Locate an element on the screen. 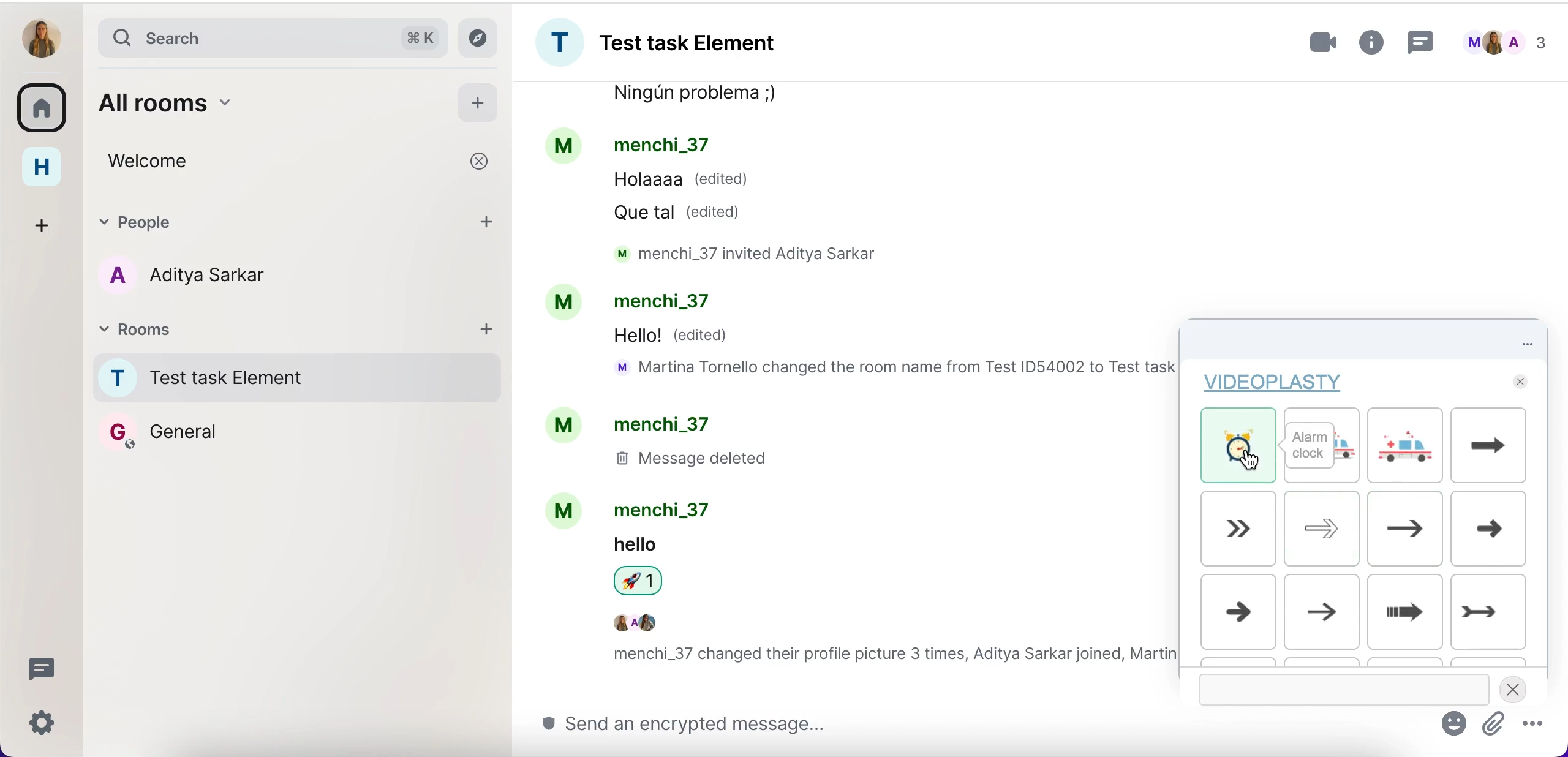 The image size is (1568, 757). people is located at coordinates (273, 222).